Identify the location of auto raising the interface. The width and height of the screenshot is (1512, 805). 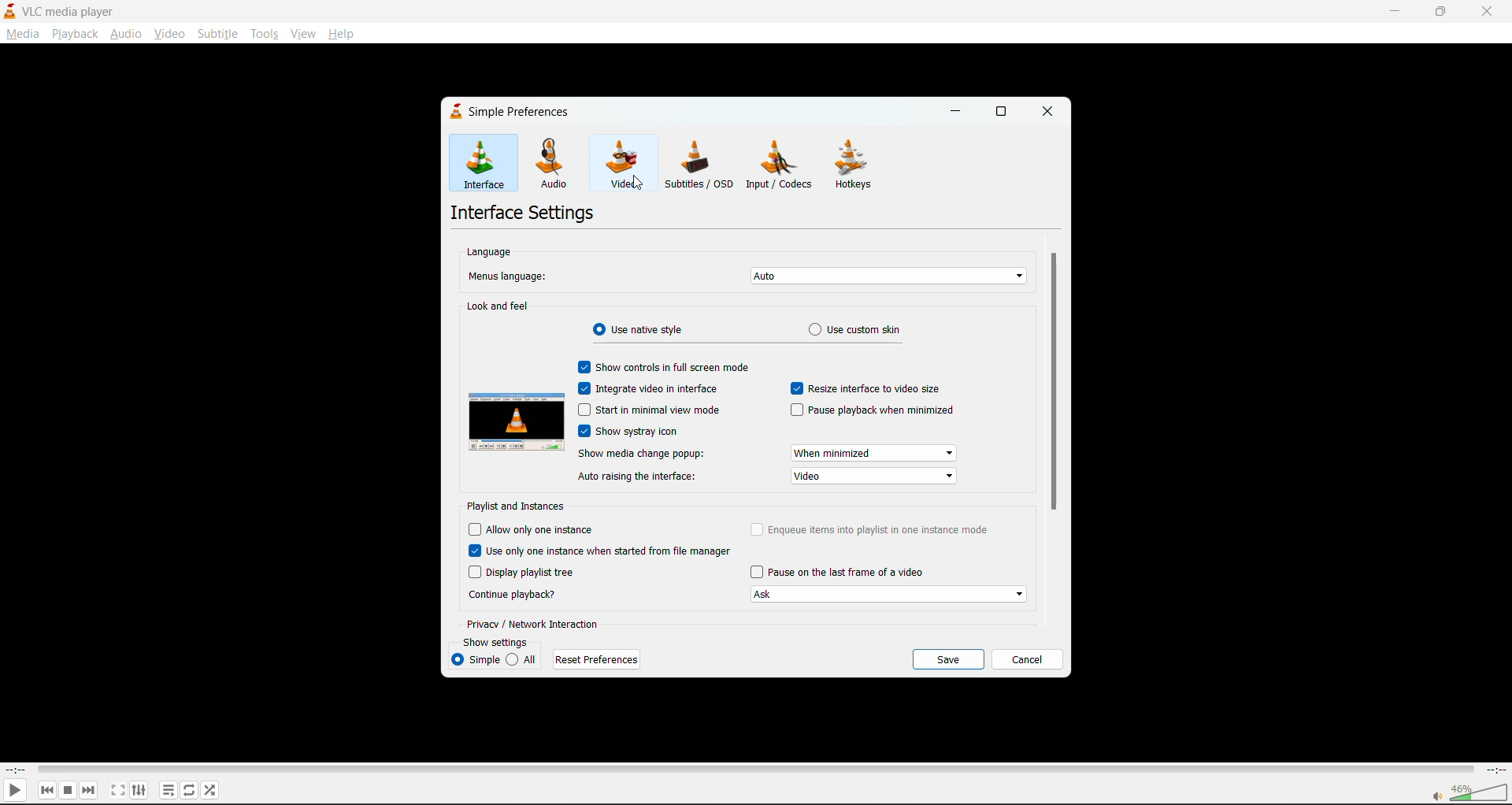
(767, 477).